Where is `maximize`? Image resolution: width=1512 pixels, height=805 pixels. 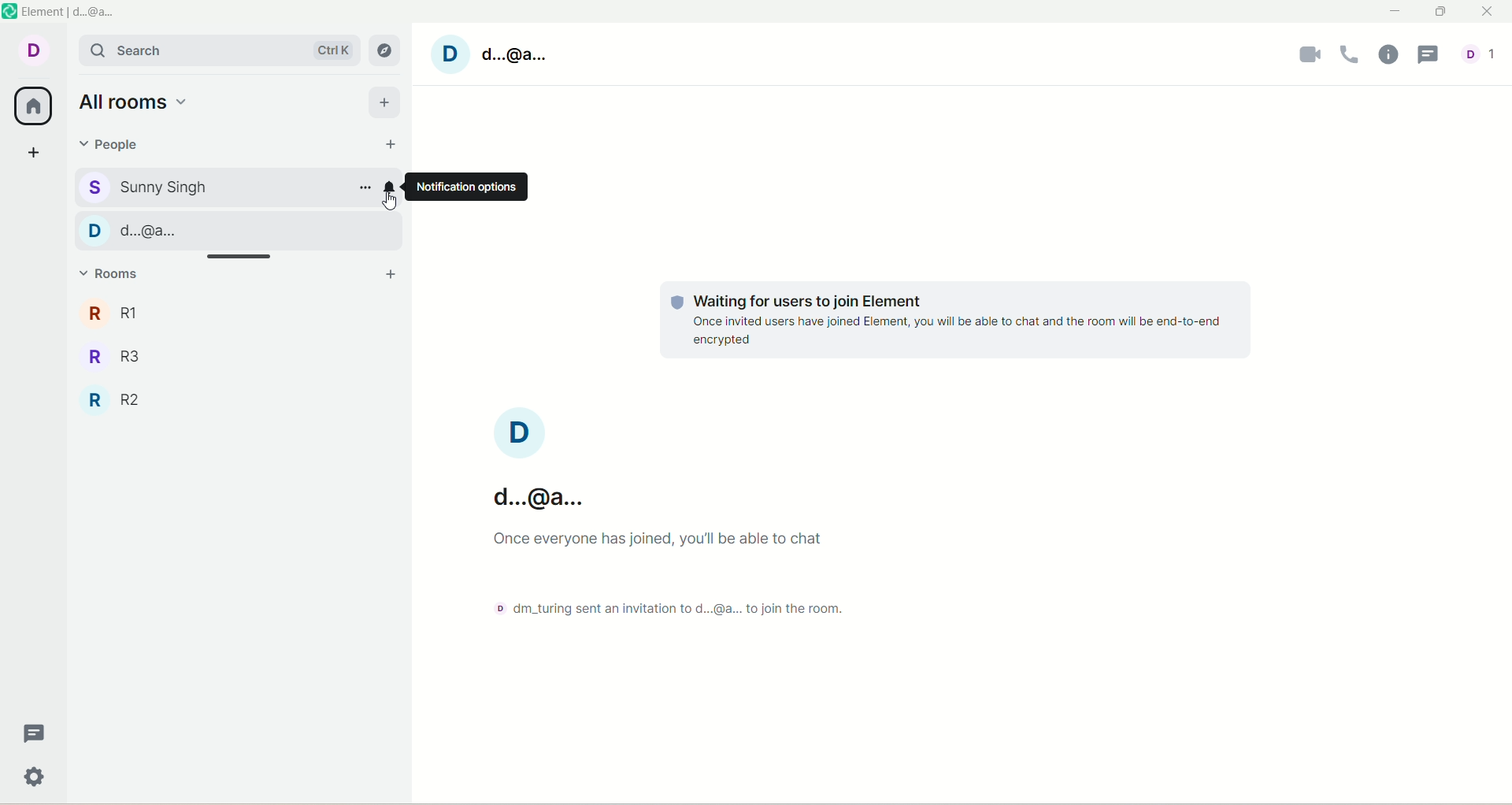
maximize is located at coordinates (1439, 13).